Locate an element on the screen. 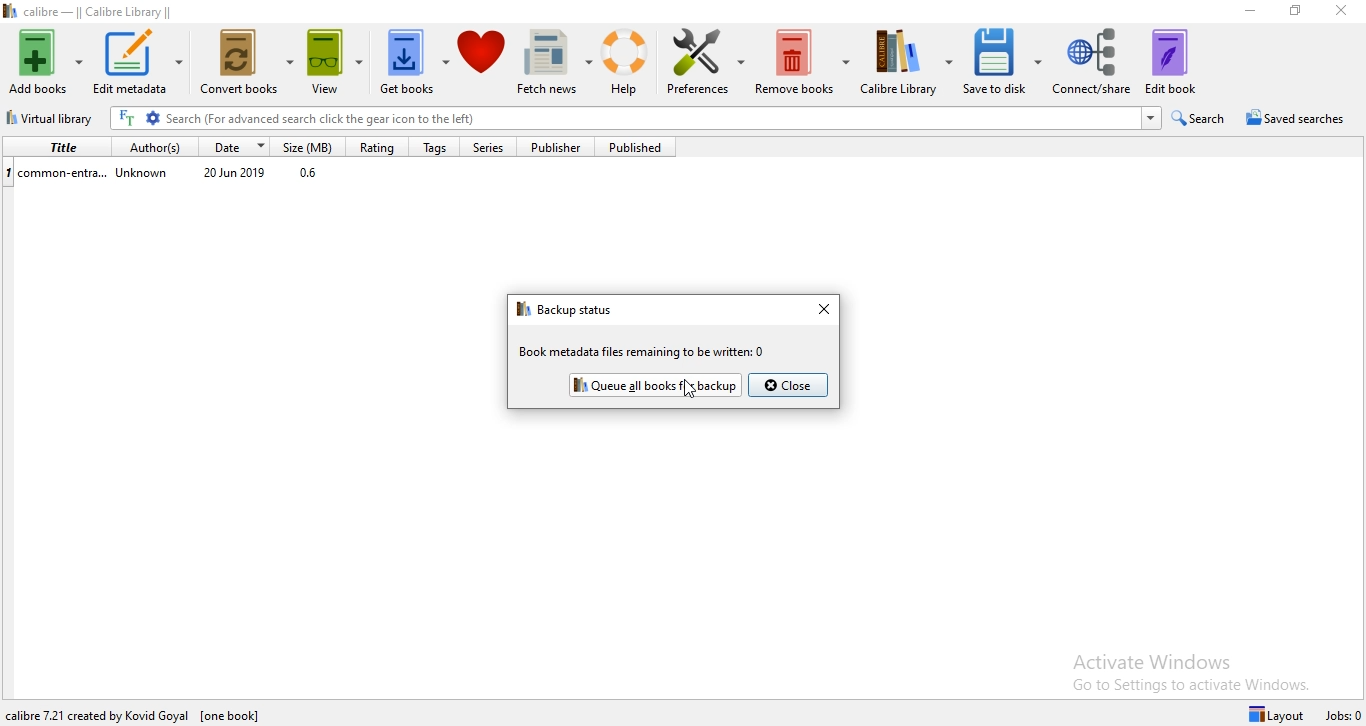 Image resolution: width=1366 pixels, height=726 pixels. Search is located at coordinates (1203, 118).